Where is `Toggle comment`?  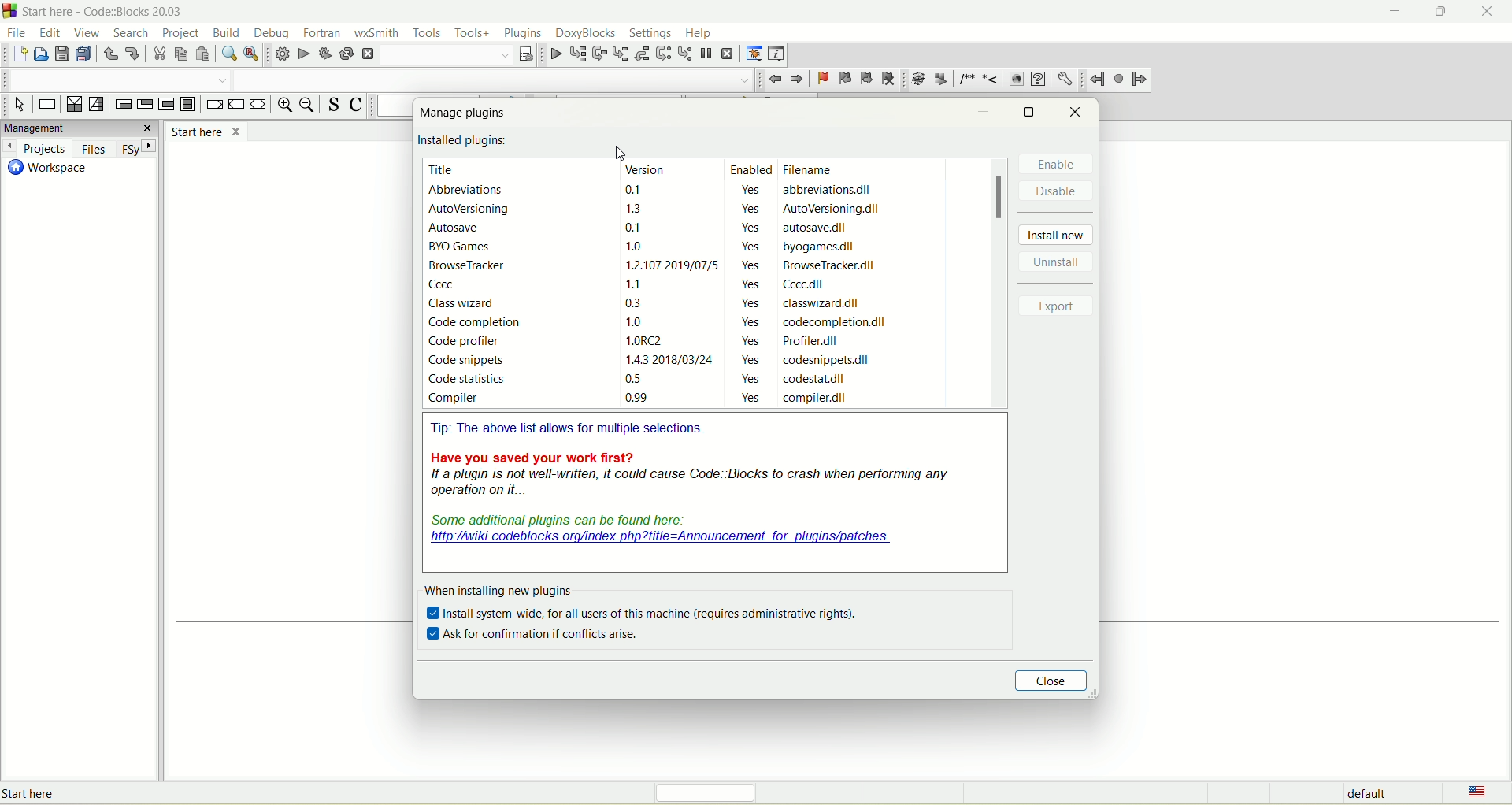
Toggle comment is located at coordinates (359, 106).